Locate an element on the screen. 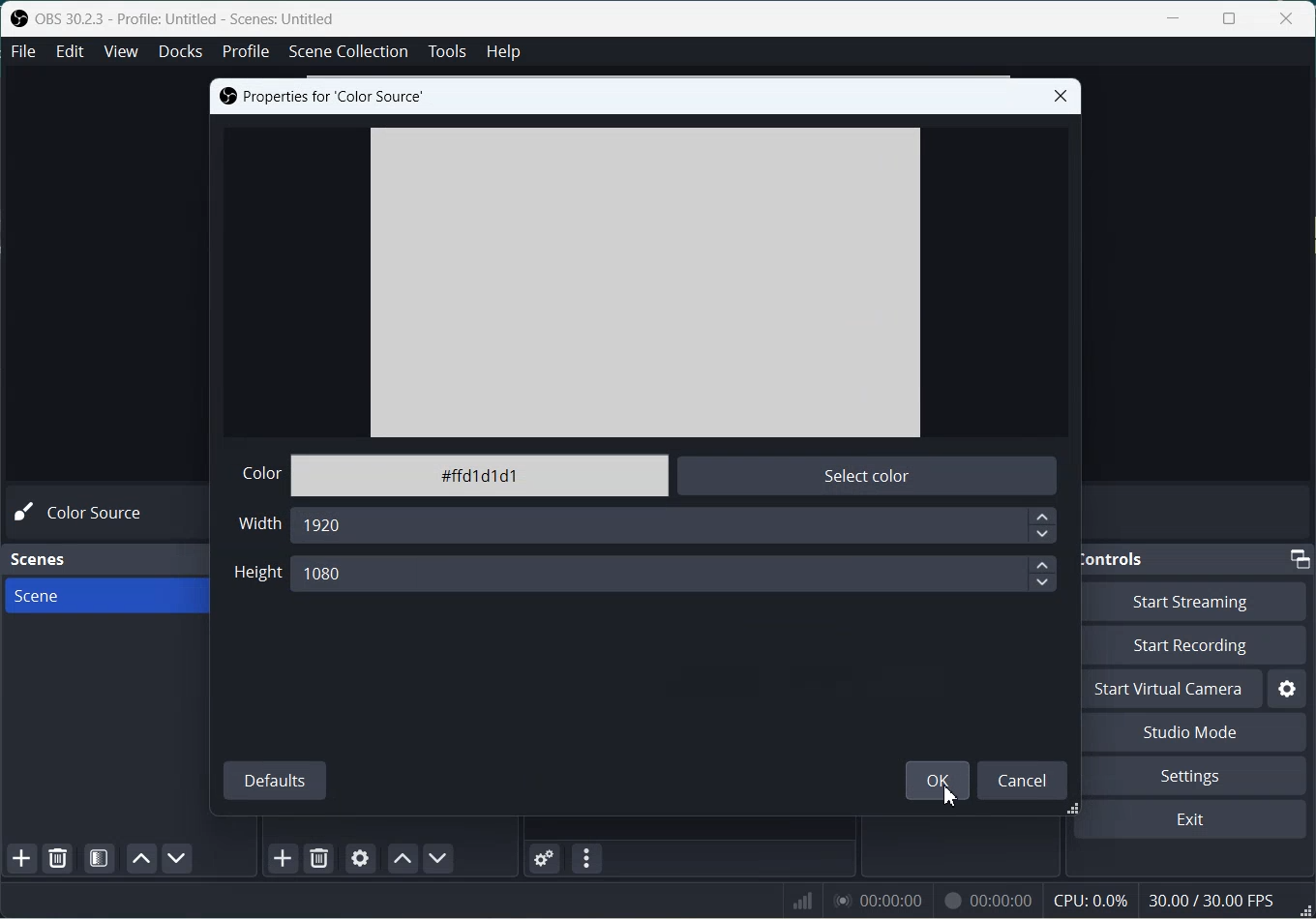 The height and width of the screenshot is (919, 1316). Window Preview is located at coordinates (644, 280).